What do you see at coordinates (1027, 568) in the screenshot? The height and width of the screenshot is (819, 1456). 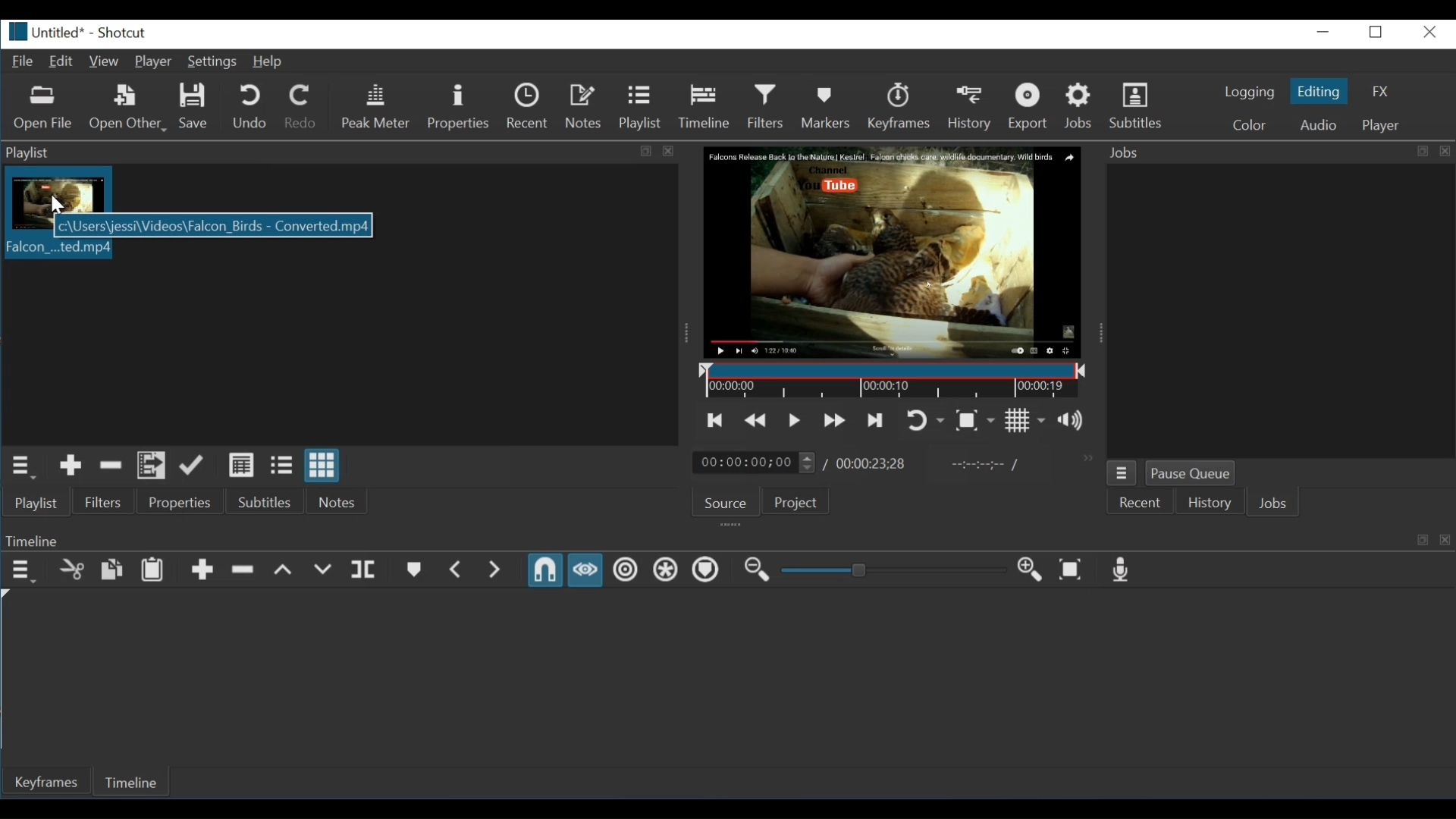 I see `Zoom keyframe in` at bounding box center [1027, 568].